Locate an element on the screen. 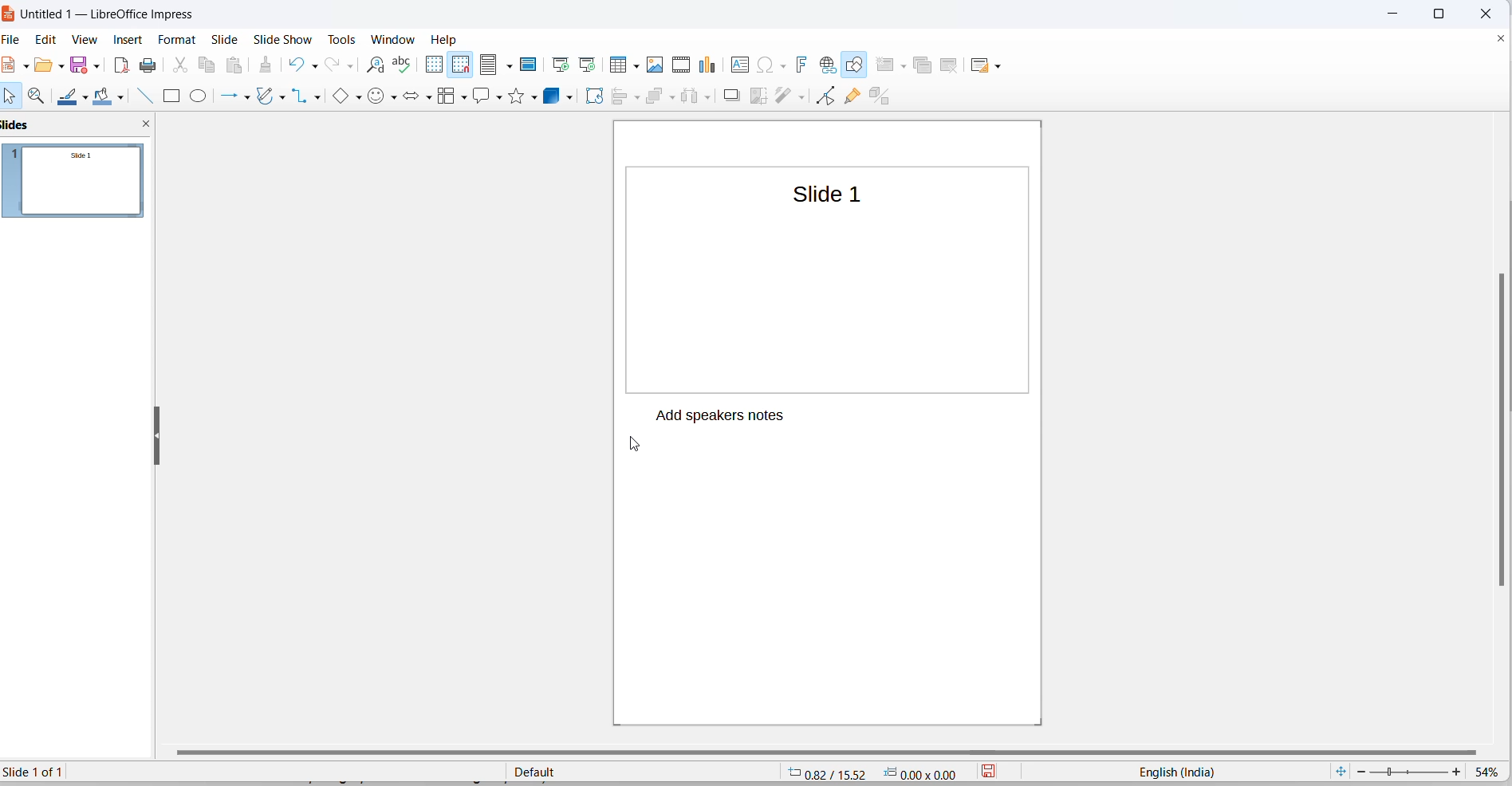 This screenshot has width=1512, height=786. call out shapes is located at coordinates (482, 98).